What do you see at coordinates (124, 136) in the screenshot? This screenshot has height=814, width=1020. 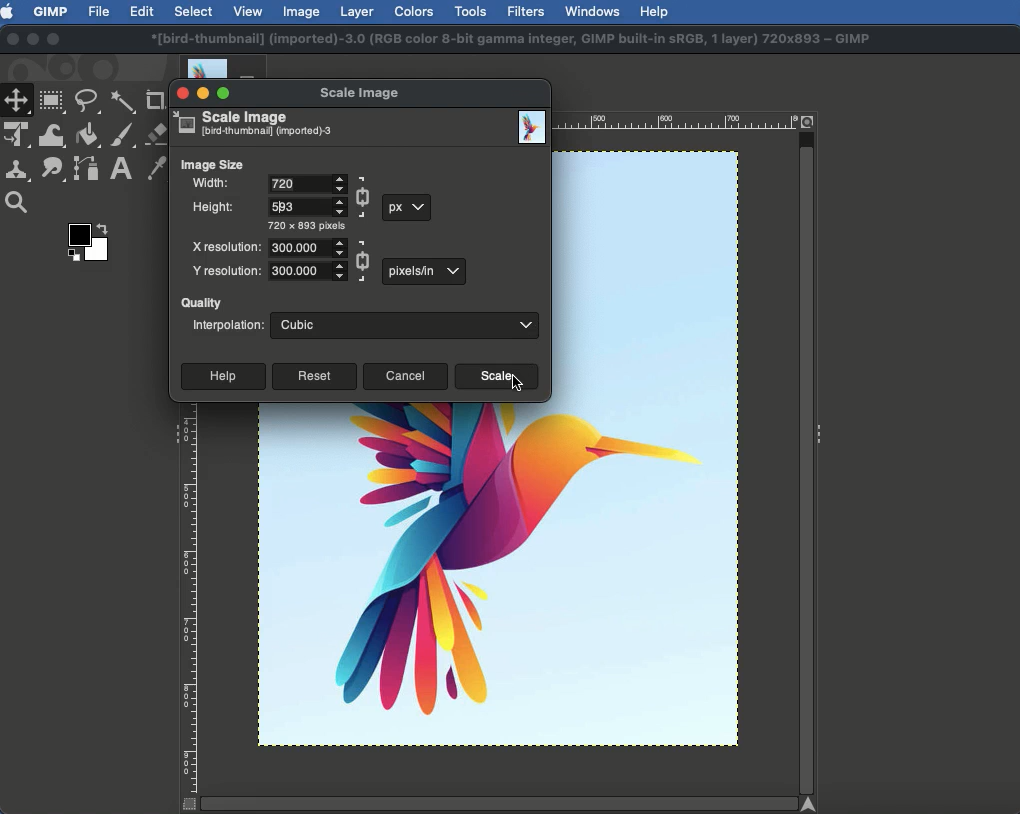 I see `Paint` at bounding box center [124, 136].